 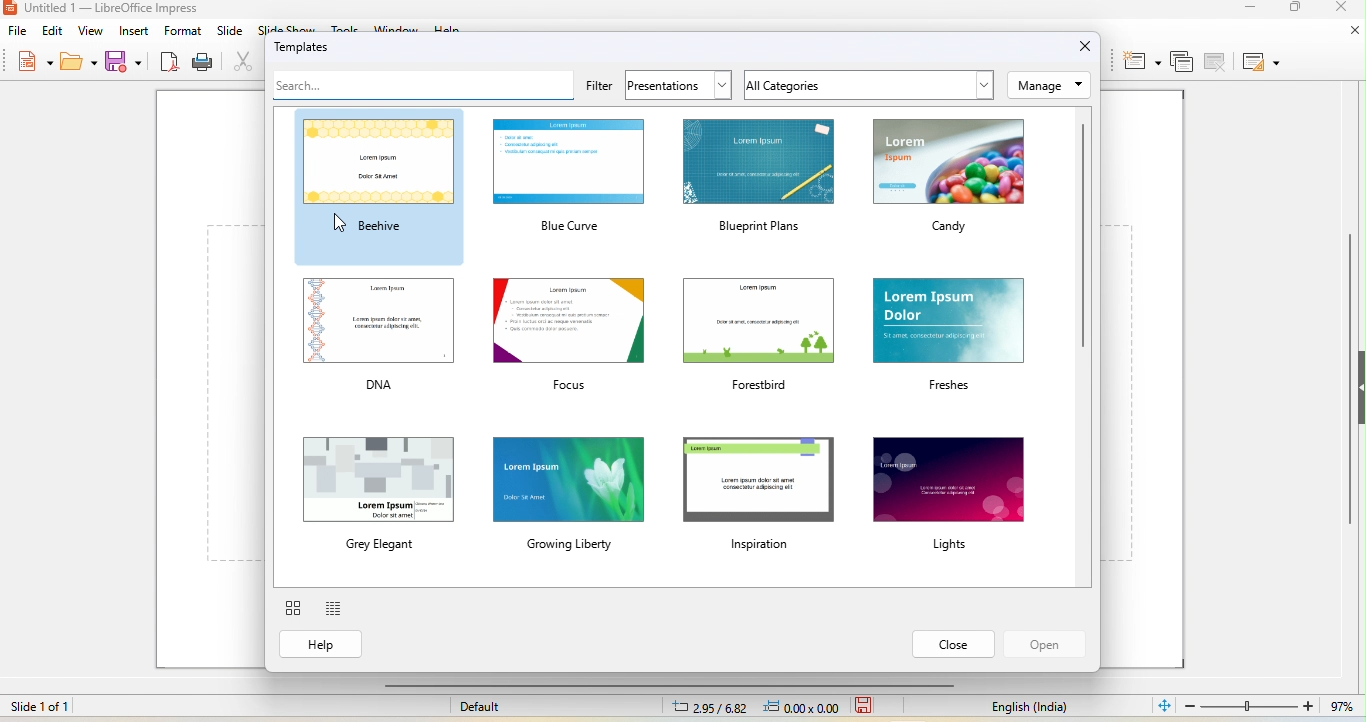 I want to click on Libreoffice Logo, so click(x=10, y=8).